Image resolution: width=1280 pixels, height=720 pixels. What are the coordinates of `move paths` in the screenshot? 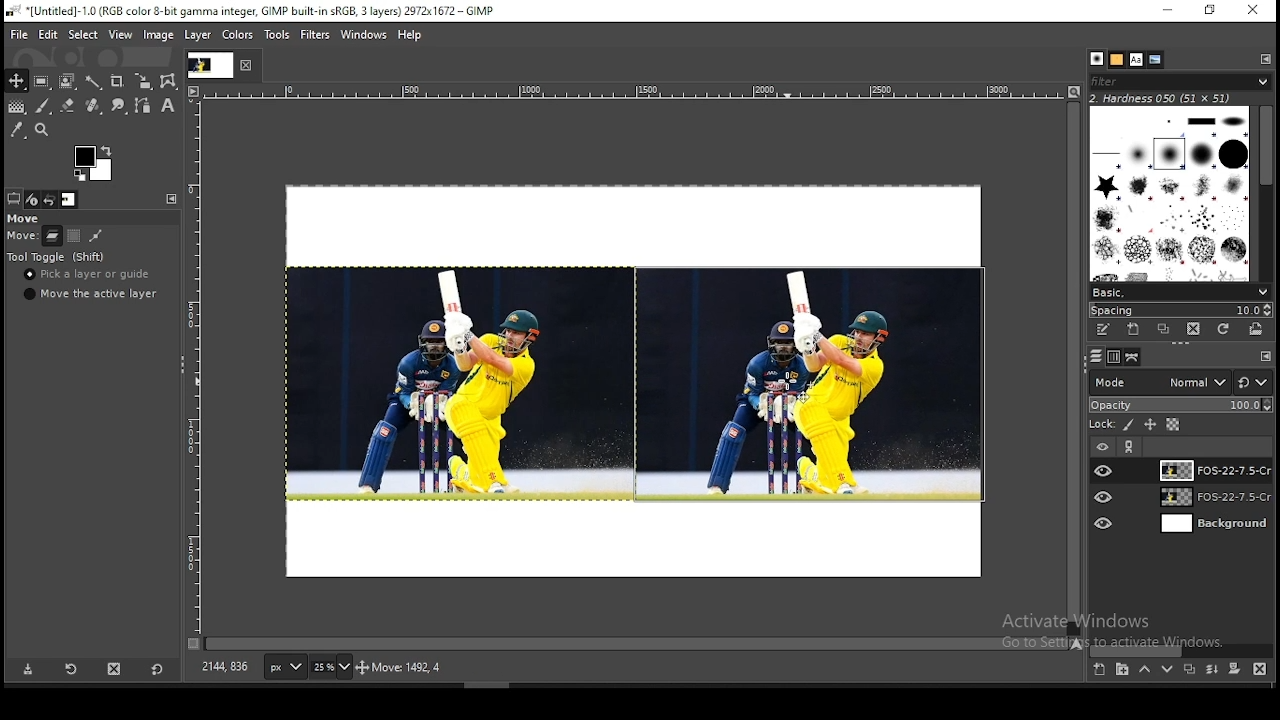 It's located at (96, 235).